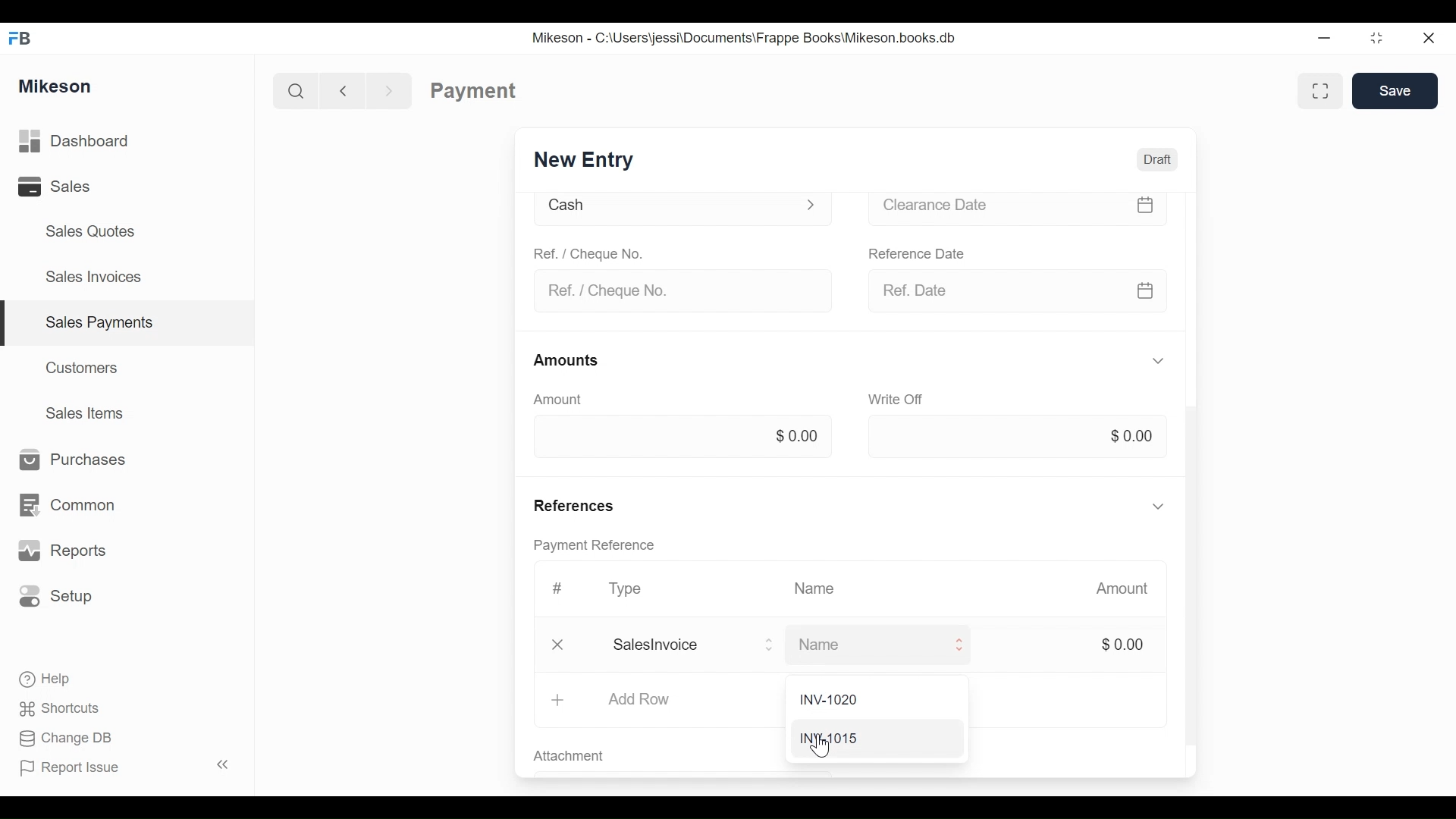 The height and width of the screenshot is (819, 1456). What do you see at coordinates (594, 256) in the screenshot?
I see `Ref. / Cheque No.` at bounding box center [594, 256].